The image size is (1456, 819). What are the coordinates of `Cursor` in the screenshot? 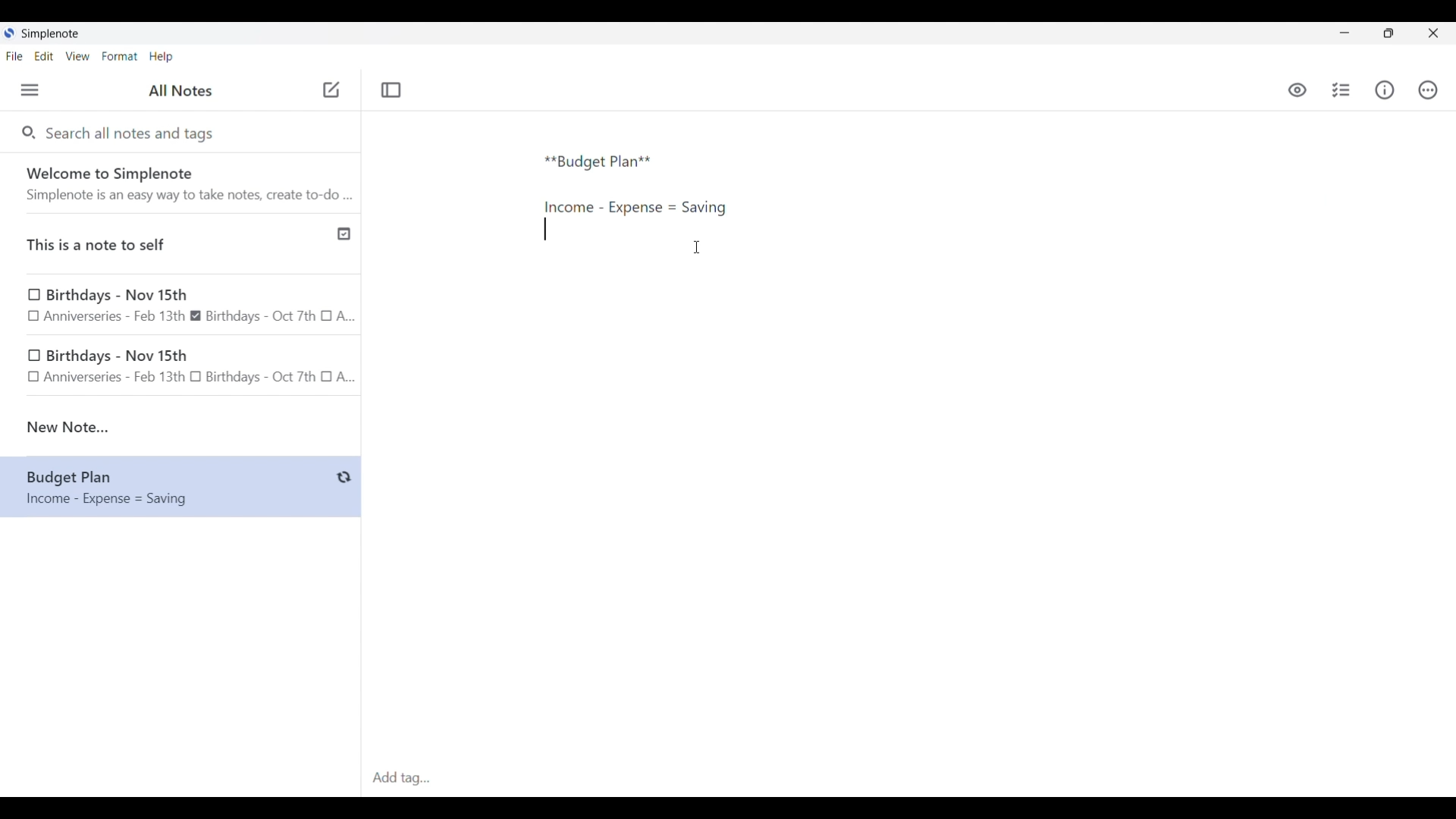 It's located at (697, 247).